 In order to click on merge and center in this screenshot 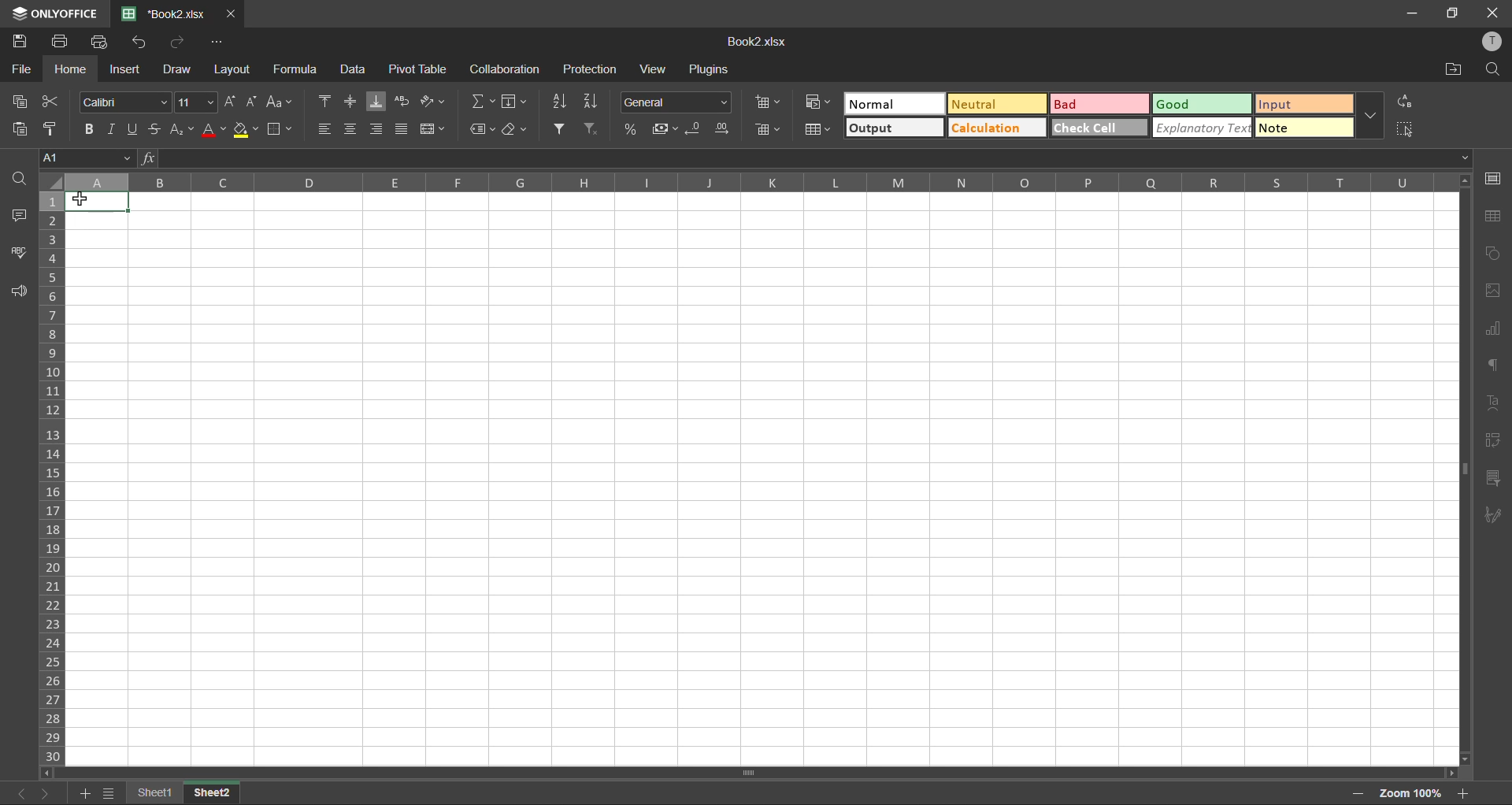, I will do `click(433, 129)`.